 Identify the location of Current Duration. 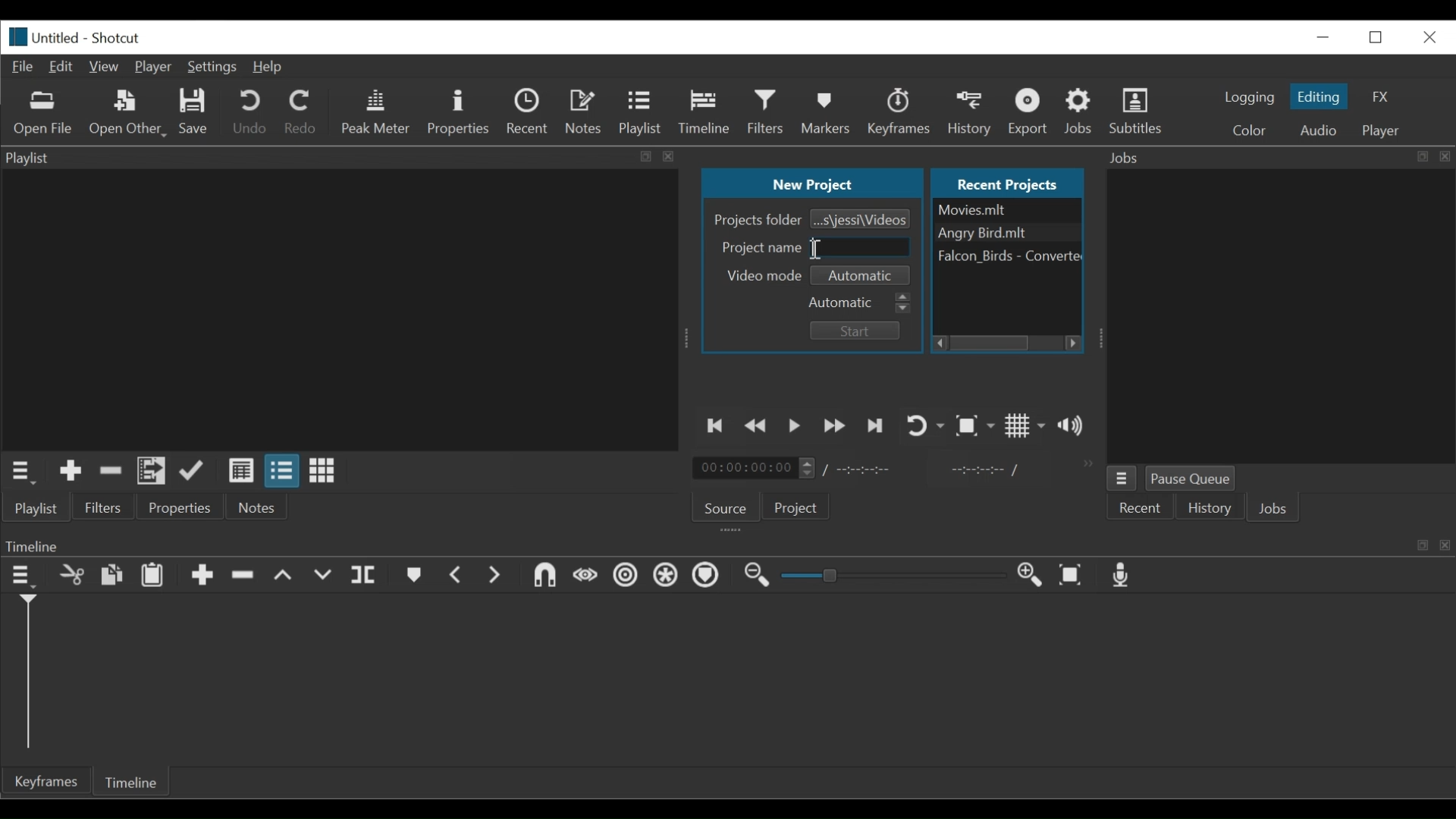
(756, 469).